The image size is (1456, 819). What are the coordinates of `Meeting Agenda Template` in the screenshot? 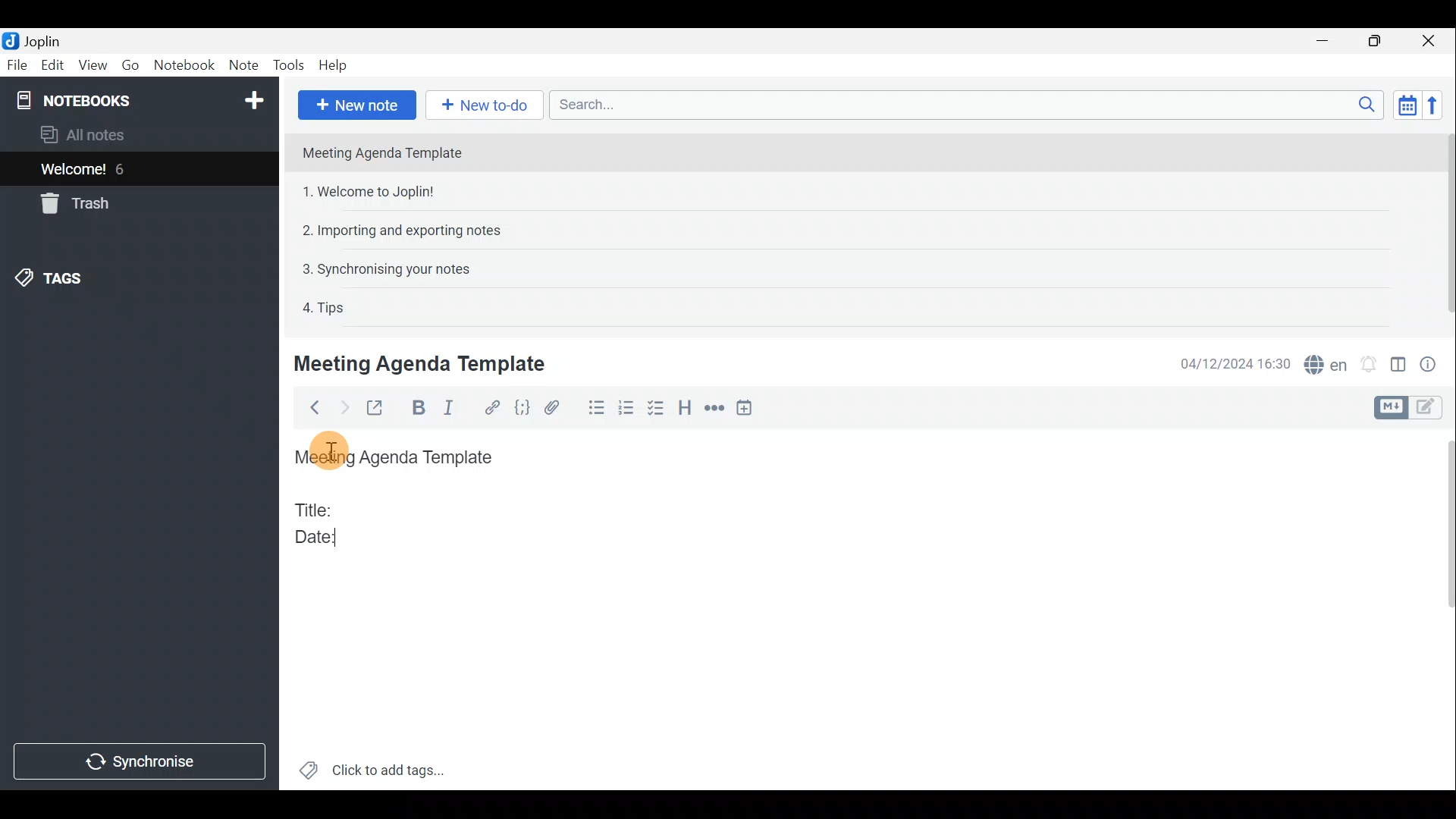 It's located at (422, 363).